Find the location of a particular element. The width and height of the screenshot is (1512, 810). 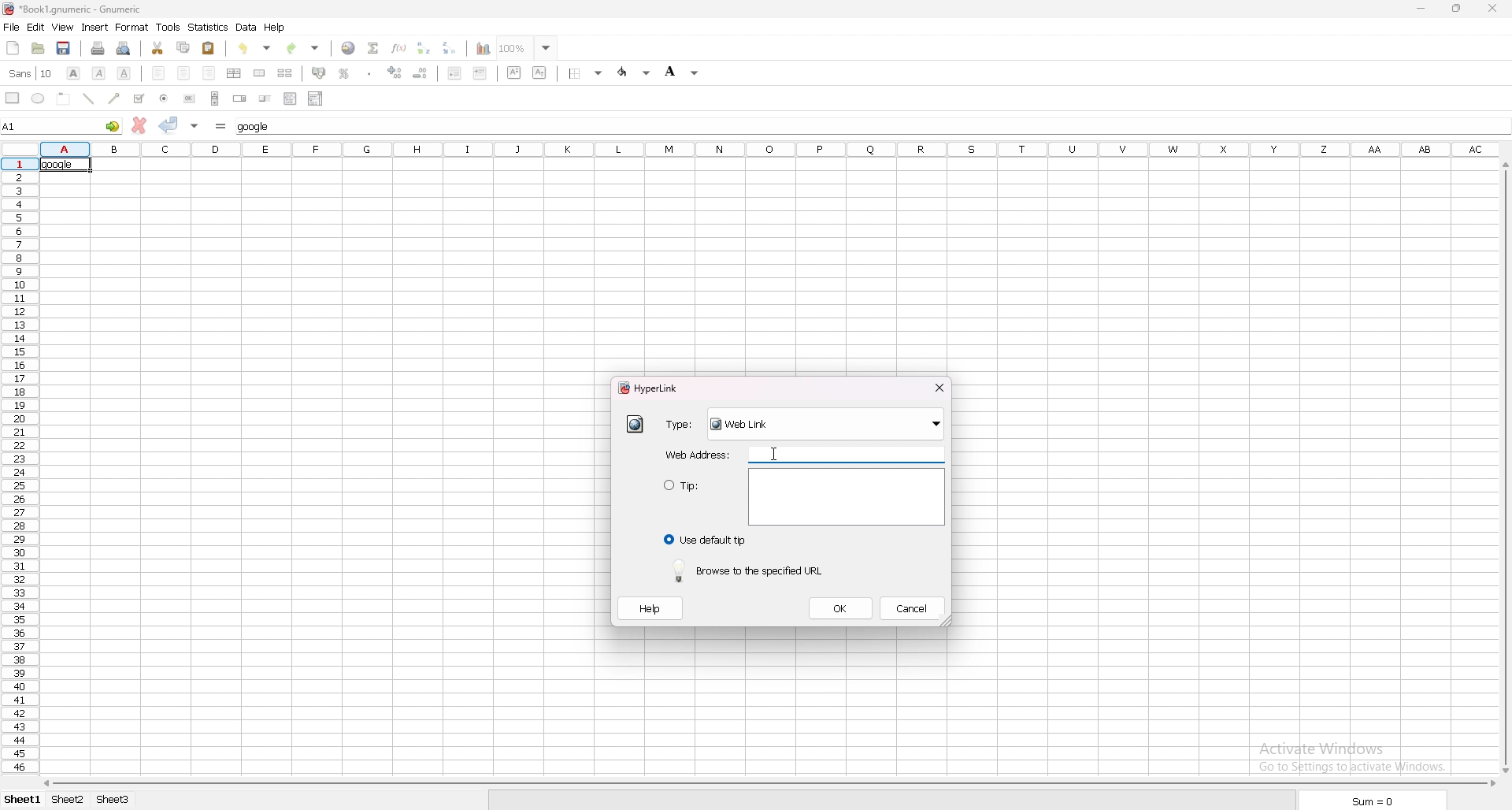

sort descending is located at coordinates (450, 47).